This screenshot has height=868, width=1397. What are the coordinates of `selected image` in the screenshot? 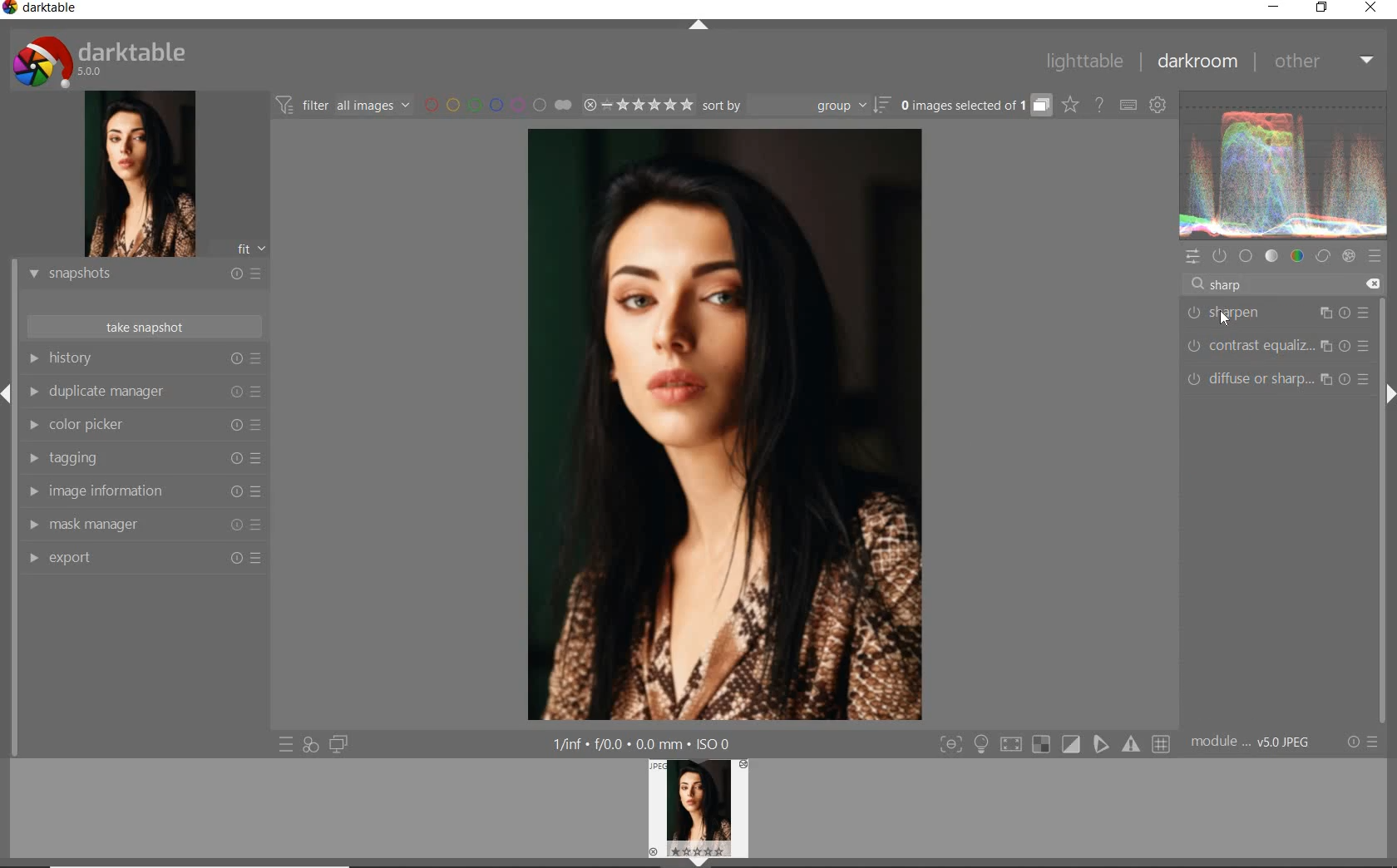 It's located at (725, 426).